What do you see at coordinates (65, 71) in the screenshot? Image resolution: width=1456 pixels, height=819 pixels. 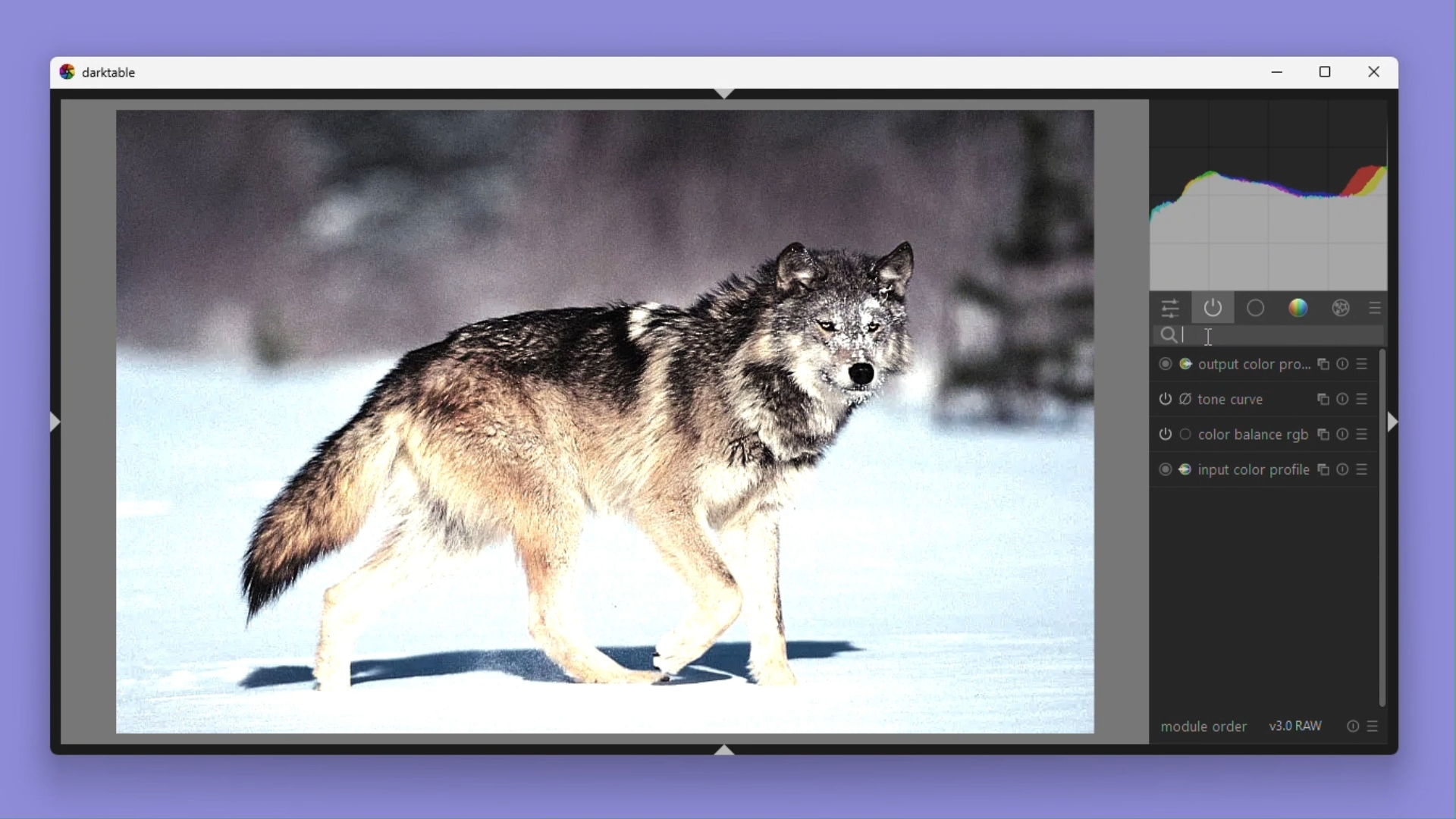 I see `logo` at bounding box center [65, 71].